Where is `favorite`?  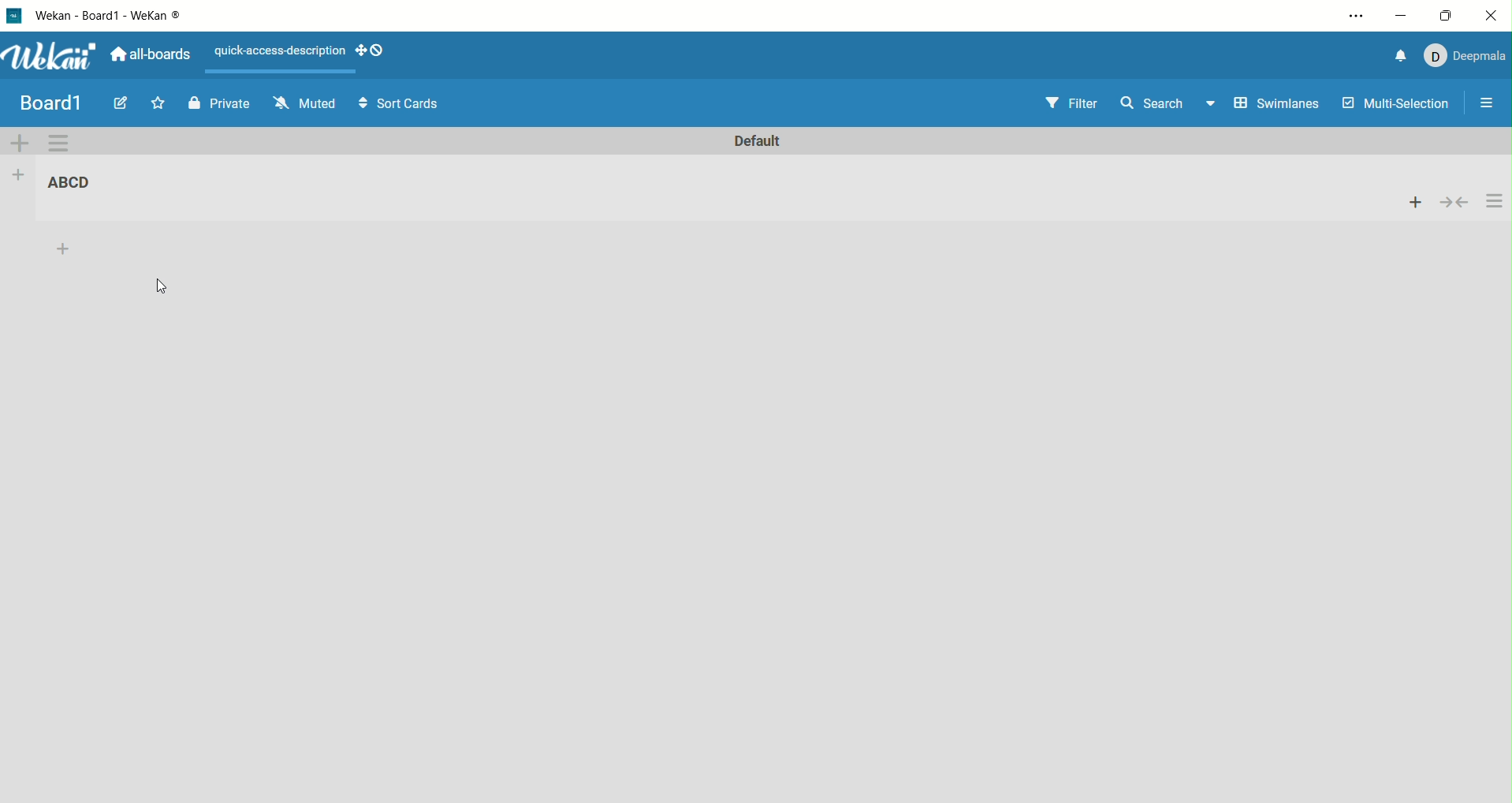 favorite is located at coordinates (158, 102).